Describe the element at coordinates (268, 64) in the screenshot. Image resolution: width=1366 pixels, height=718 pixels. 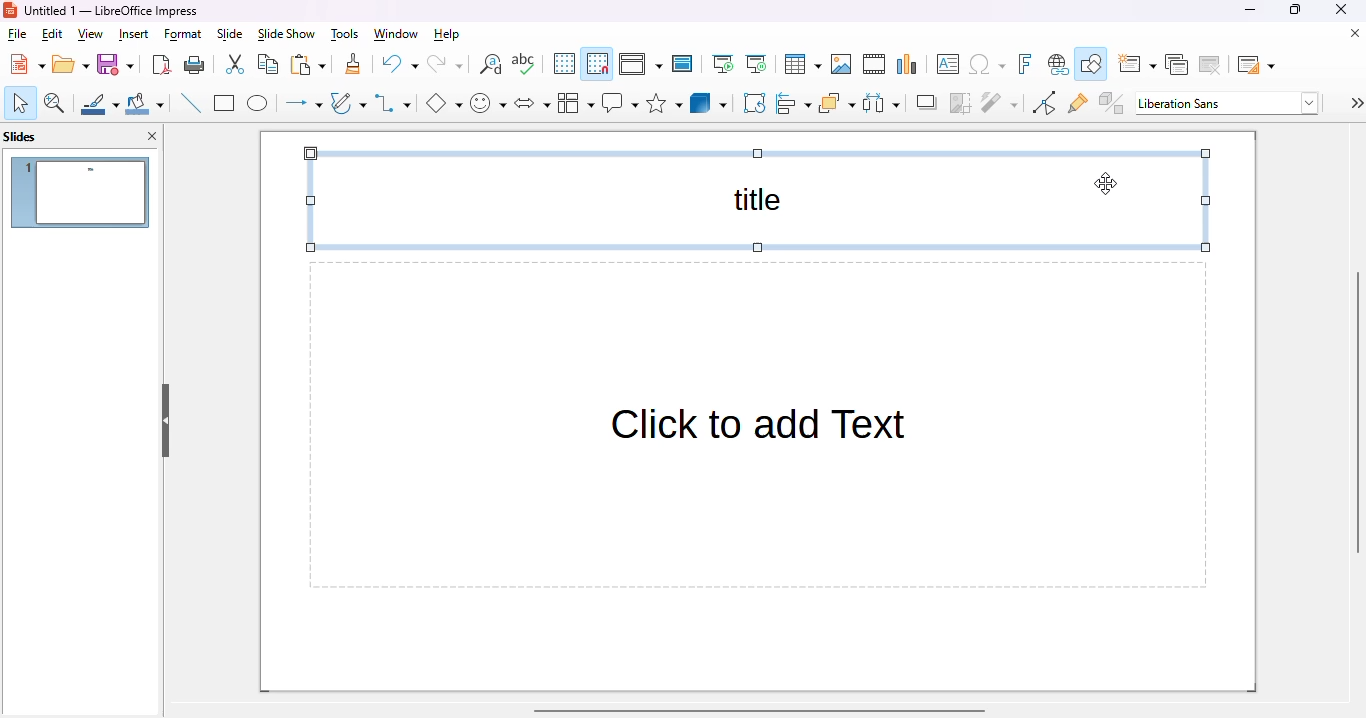
I see `copy` at that location.